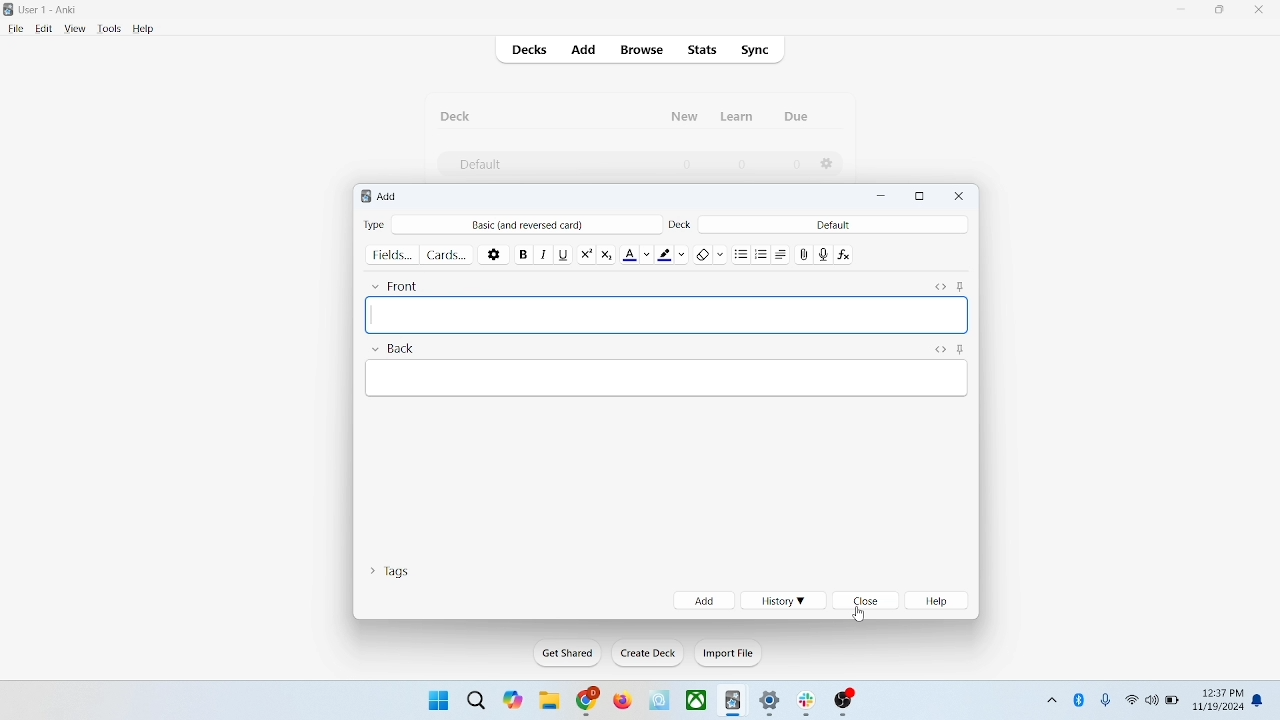 Image resolution: width=1280 pixels, height=720 pixels. What do you see at coordinates (495, 253) in the screenshot?
I see `options` at bounding box center [495, 253].